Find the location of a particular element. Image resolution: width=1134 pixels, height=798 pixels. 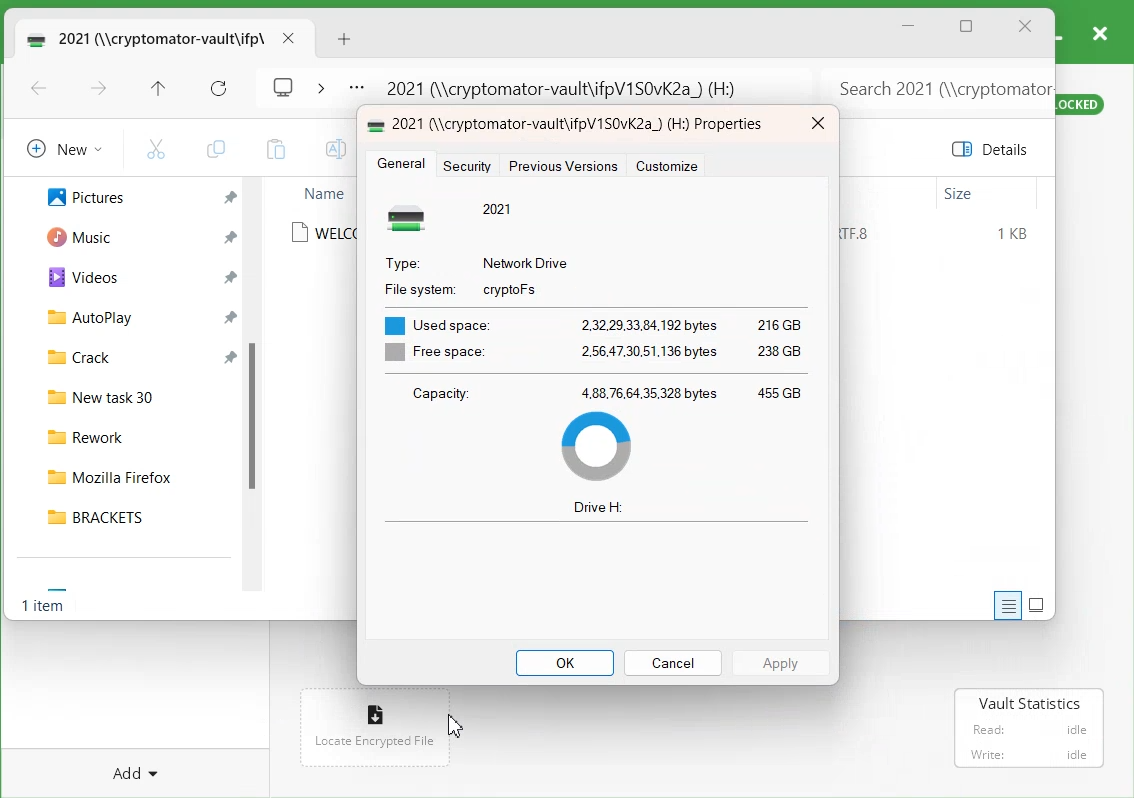

Music is located at coordinates (72, 235).